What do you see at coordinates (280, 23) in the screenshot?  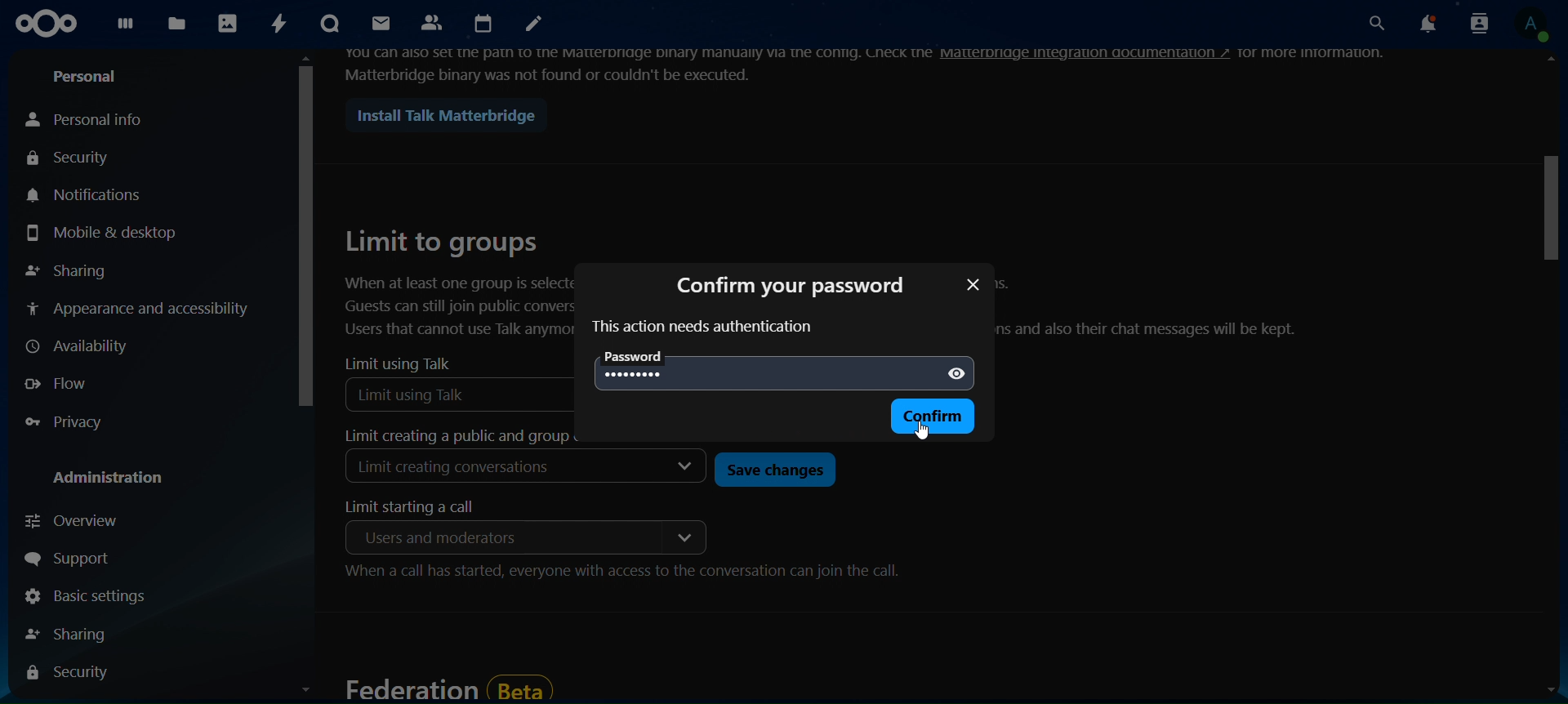 I see `activity` at bounding box center [280, 23].